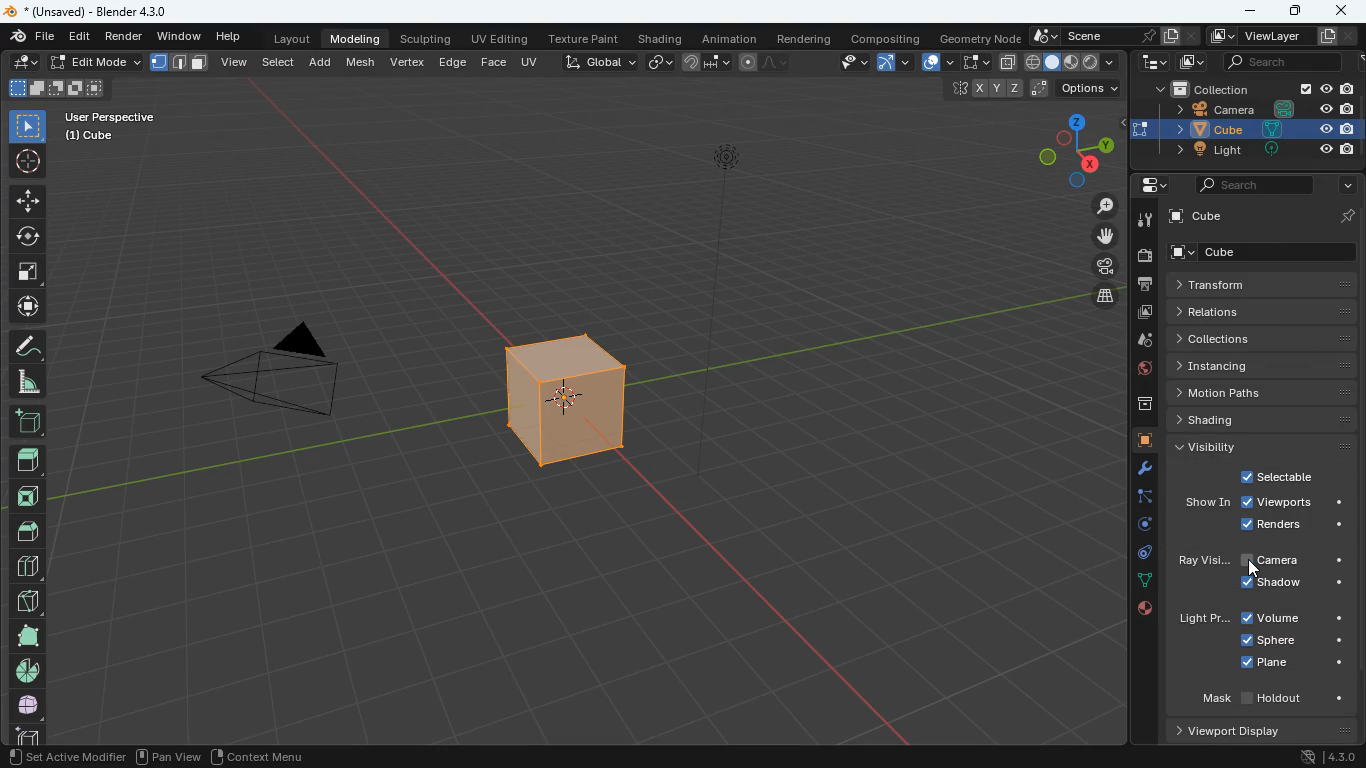 The width and height of the screenshot is (1366, 768). Describe the element at coordinates (1104, 205) in the screenshot. I see `zoom` at that location.